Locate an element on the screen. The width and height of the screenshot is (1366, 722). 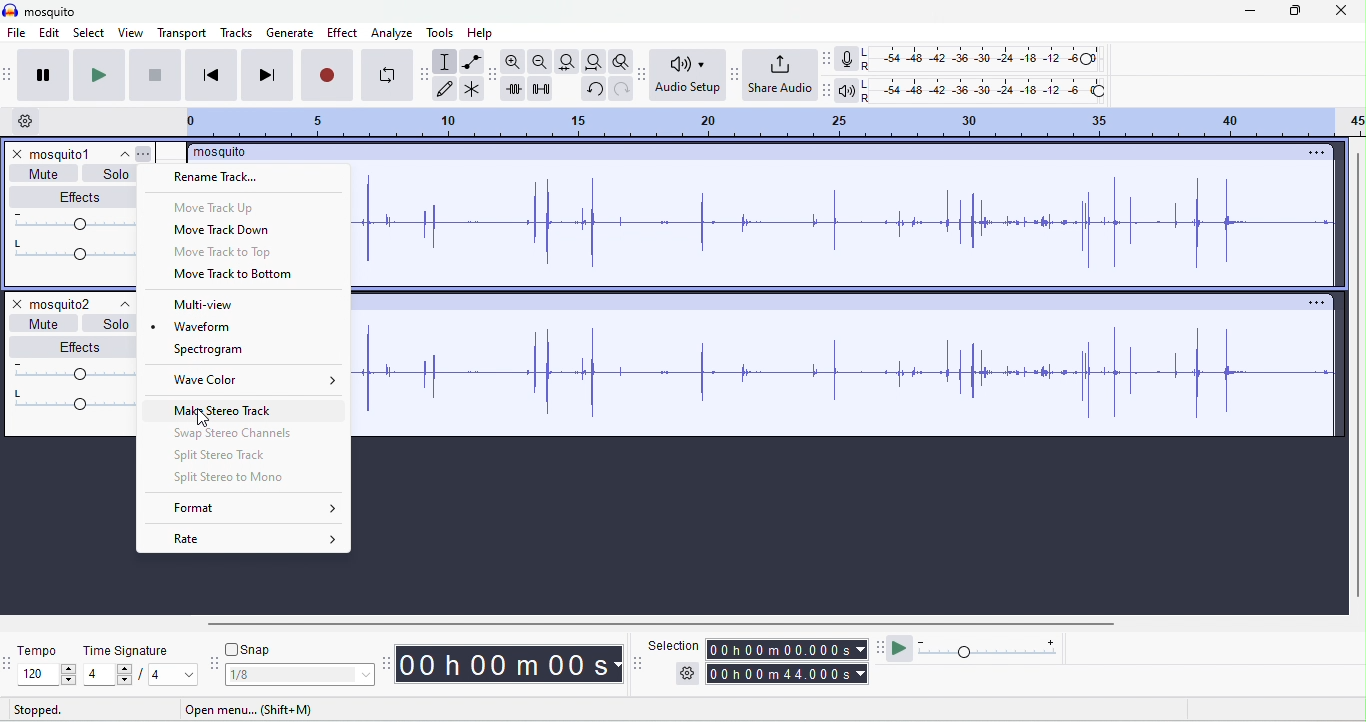
silence selection is located at coordinates (542, 88).